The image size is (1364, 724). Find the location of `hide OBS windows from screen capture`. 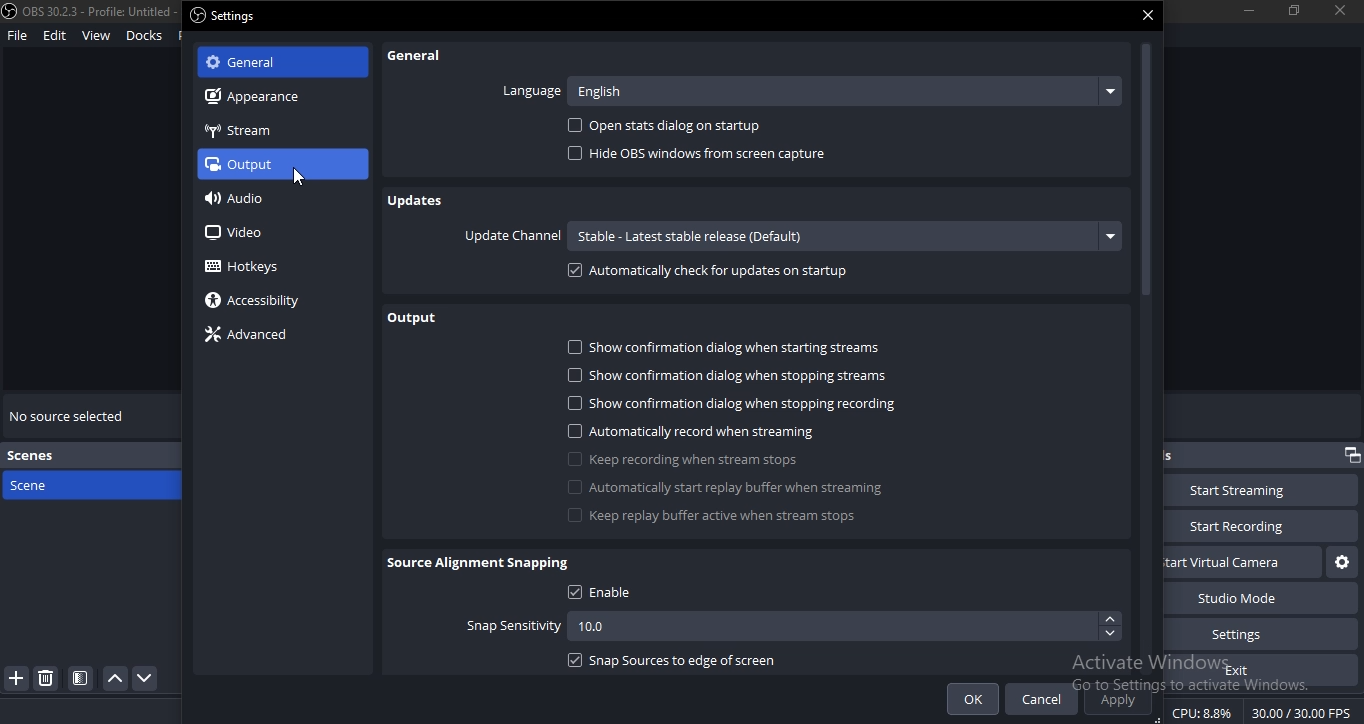

hide OBS windows from screen capture is located at coordinates (705, 157).